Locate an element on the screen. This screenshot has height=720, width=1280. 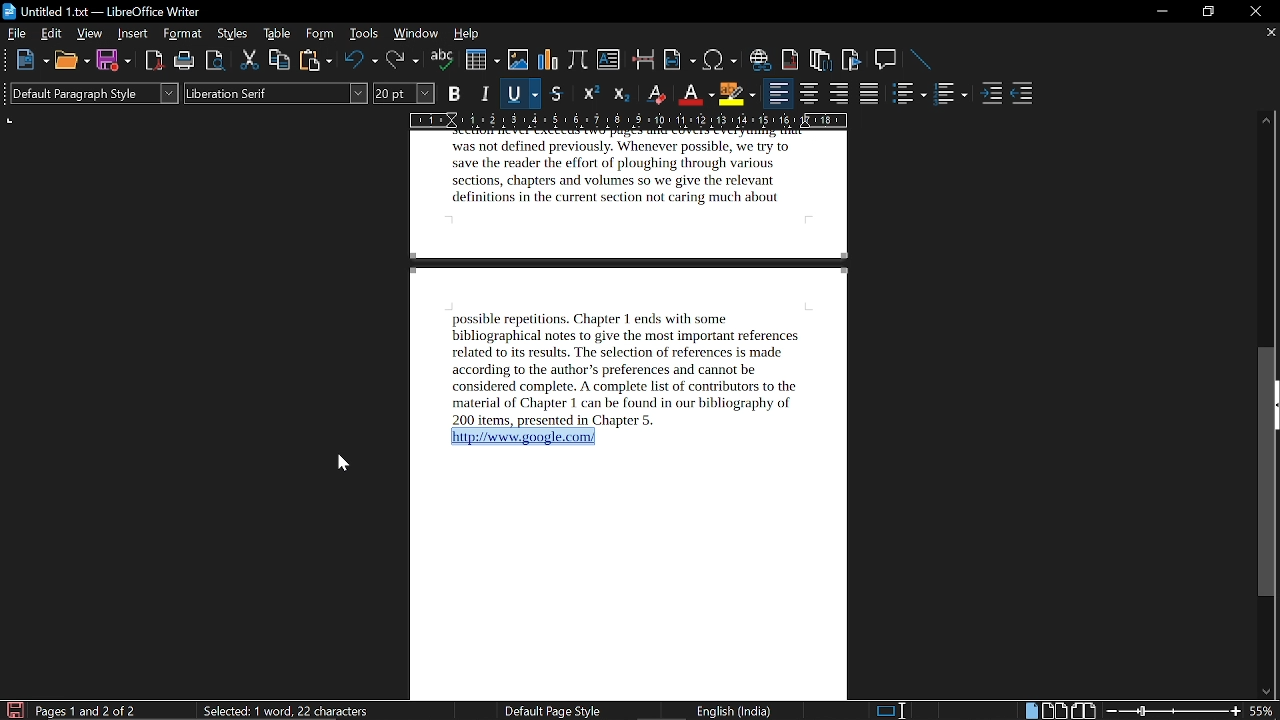
decrease indent is located at coordinates (1023, 97).